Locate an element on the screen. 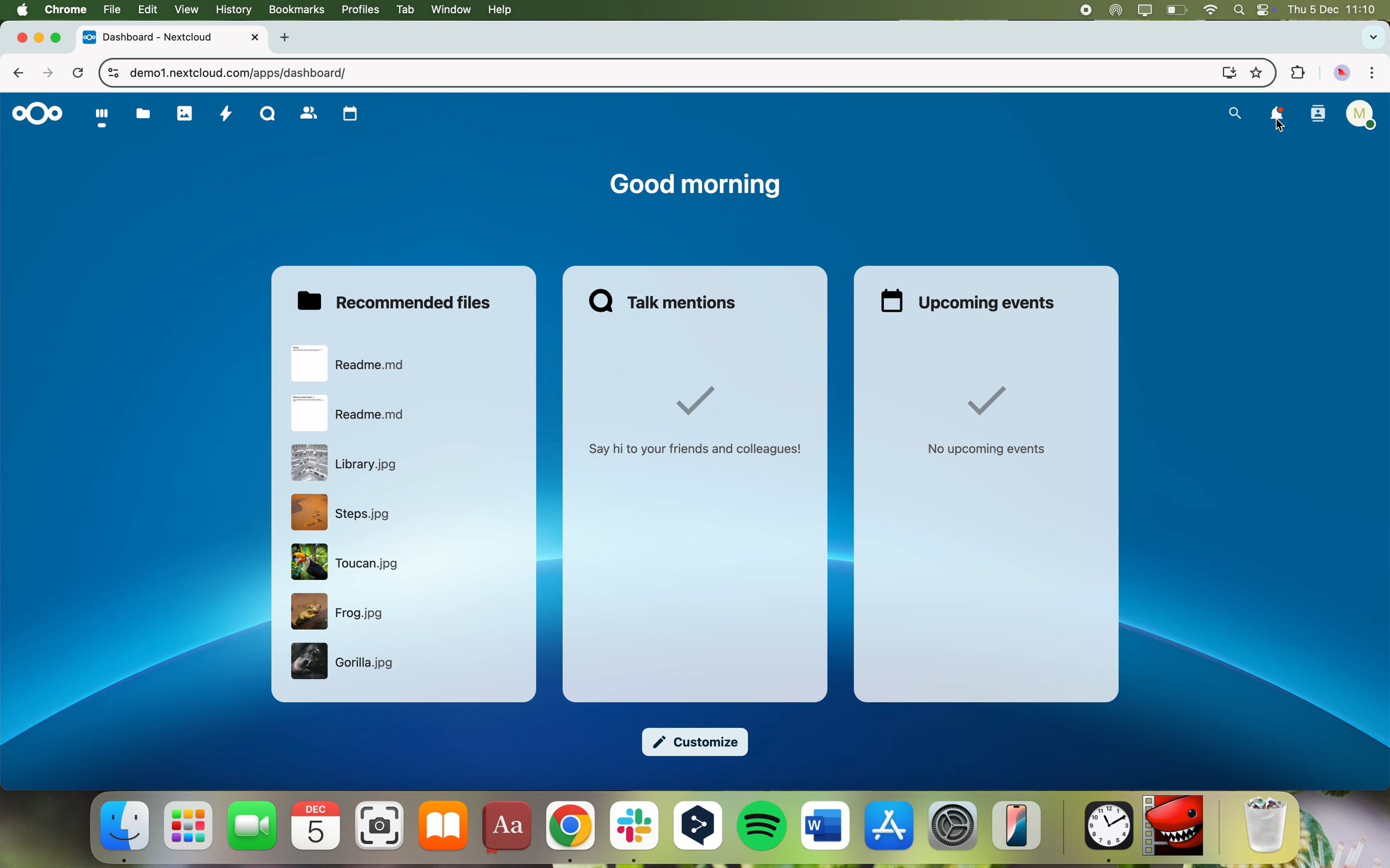 The height and width of the screenshot is (868, 1390). navigate back is located at coordinates (24, 75).